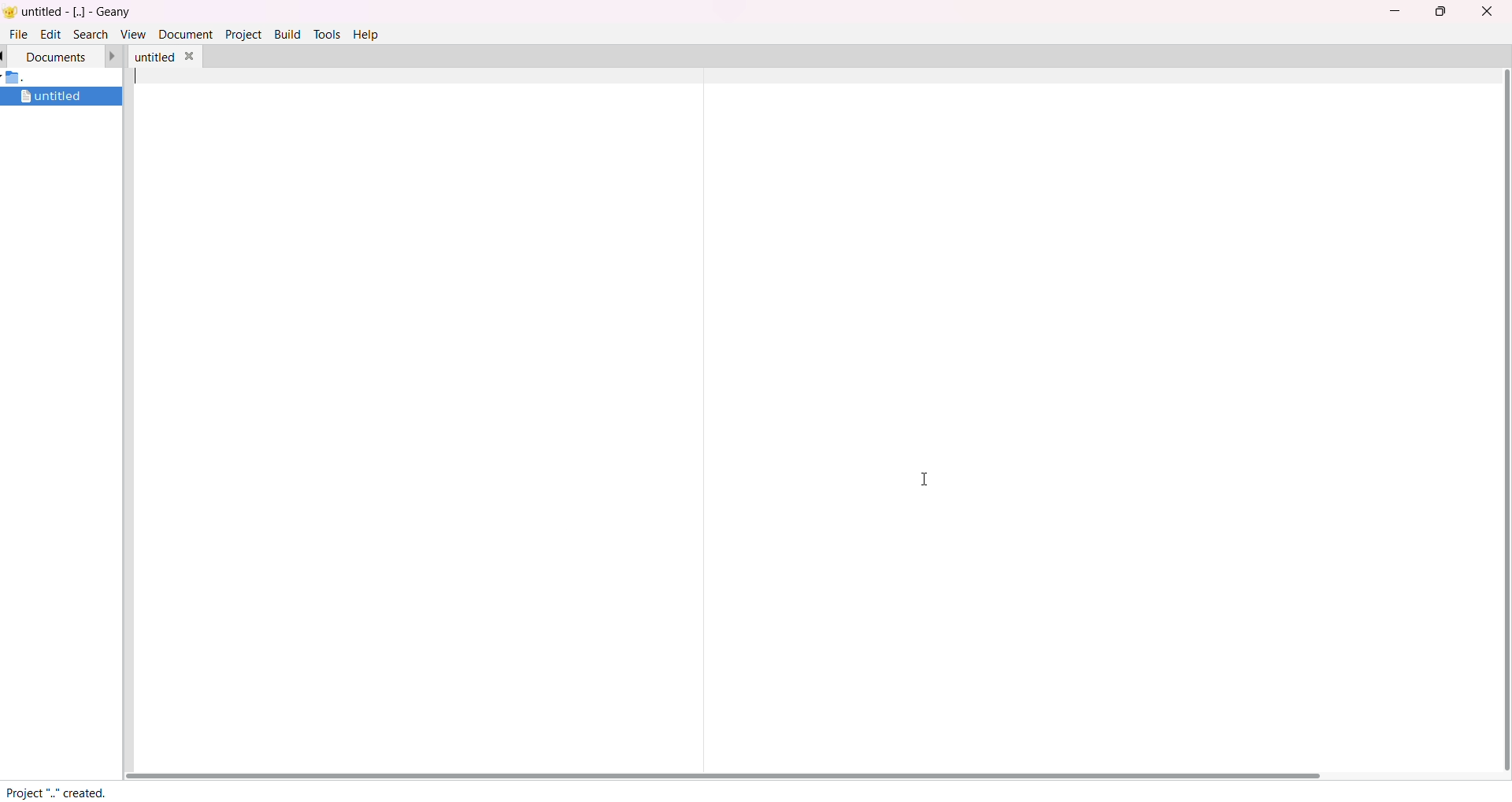  Describe the element at coordinates (113, 58) in the screenshot. I see `forward` at that location.